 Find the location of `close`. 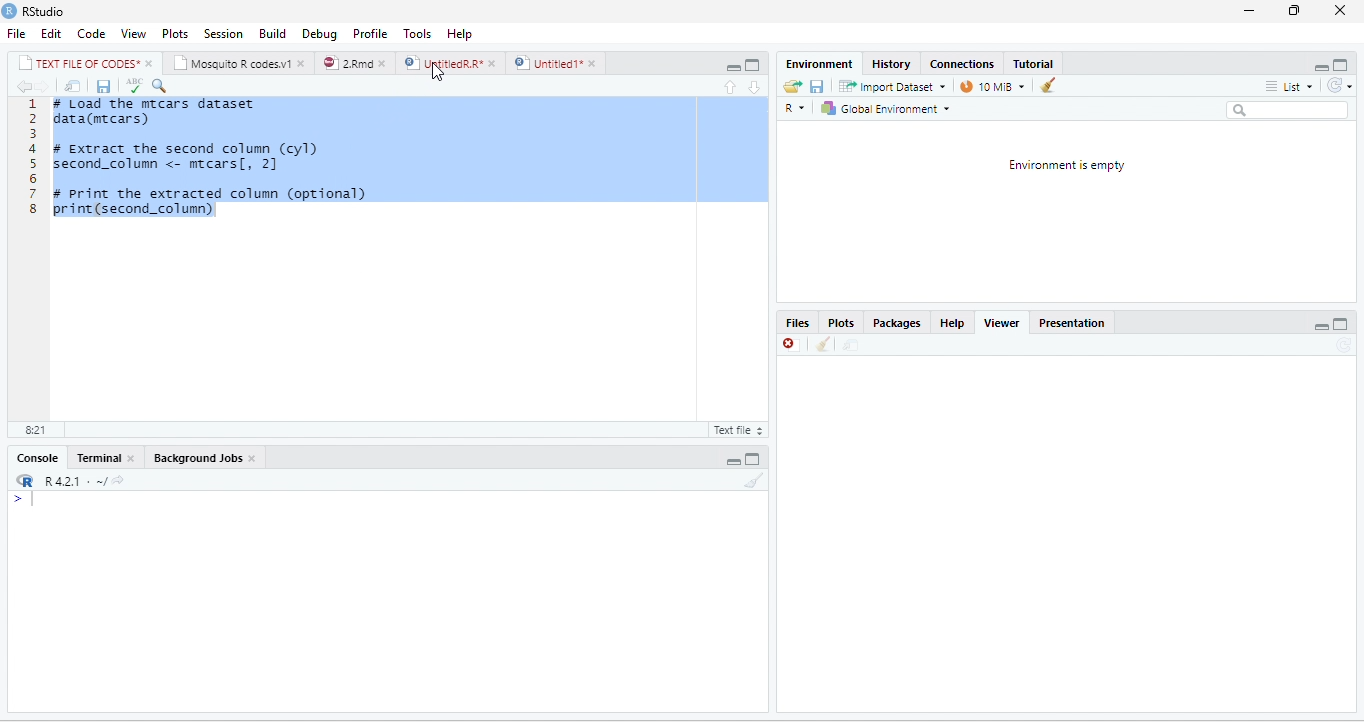

close is located at coordinates (492, 62).